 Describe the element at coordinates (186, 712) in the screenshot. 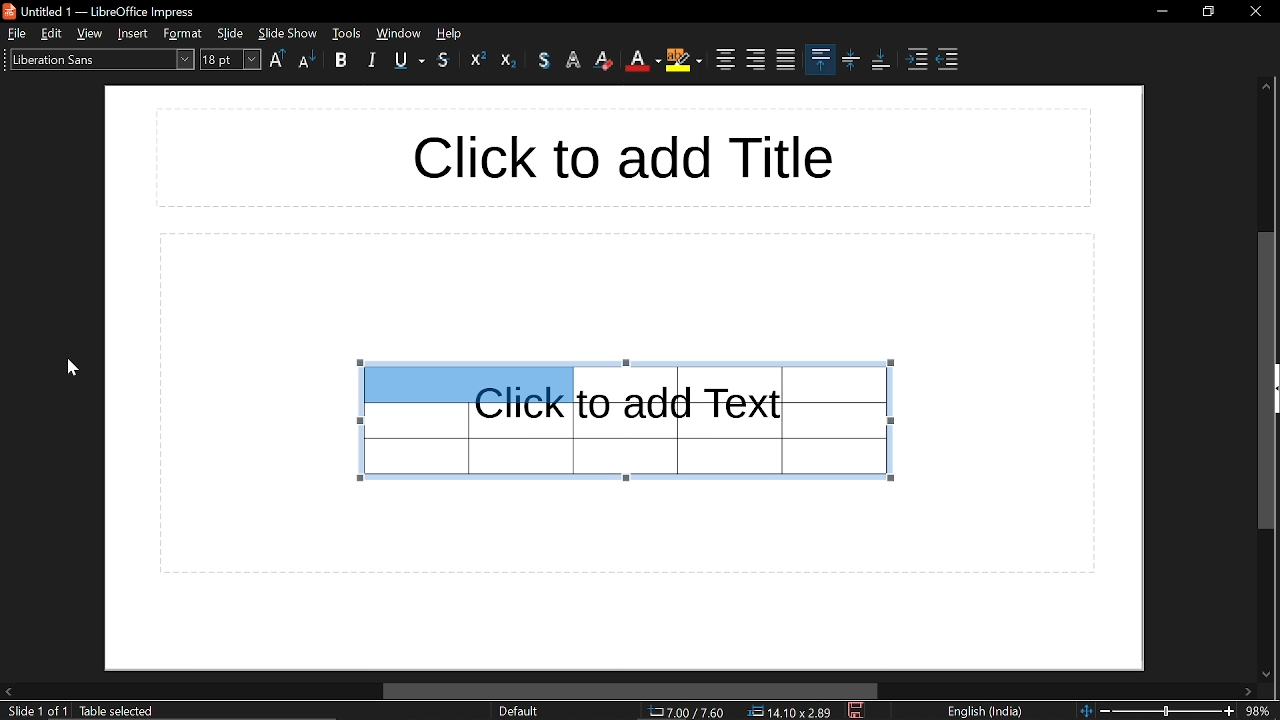

I see `text: edit paragraph 1, row 1, column 1` at that location.